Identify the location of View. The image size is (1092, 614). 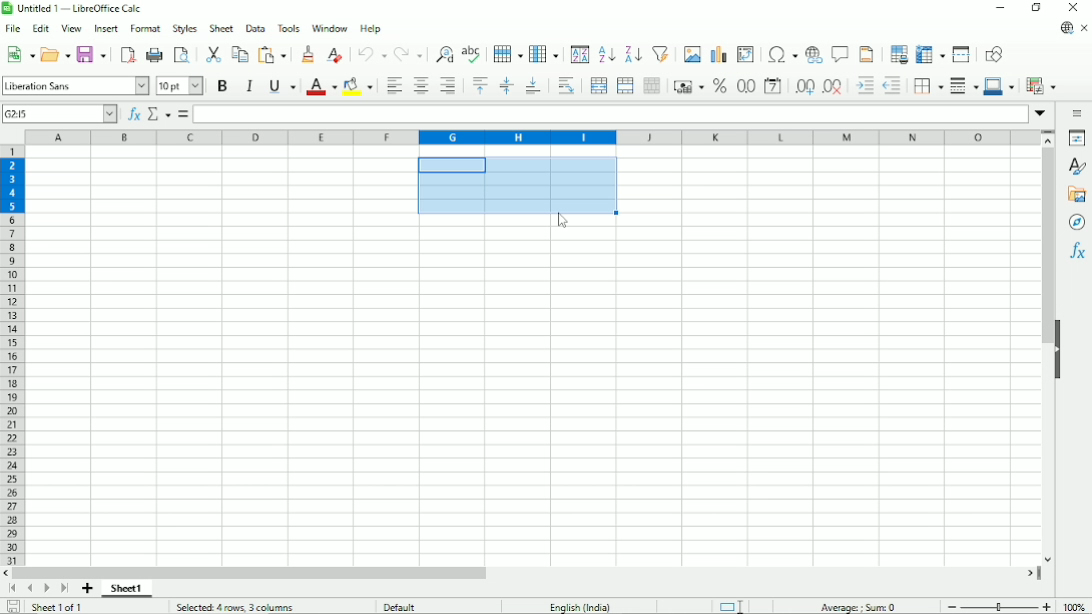
(71, 29).